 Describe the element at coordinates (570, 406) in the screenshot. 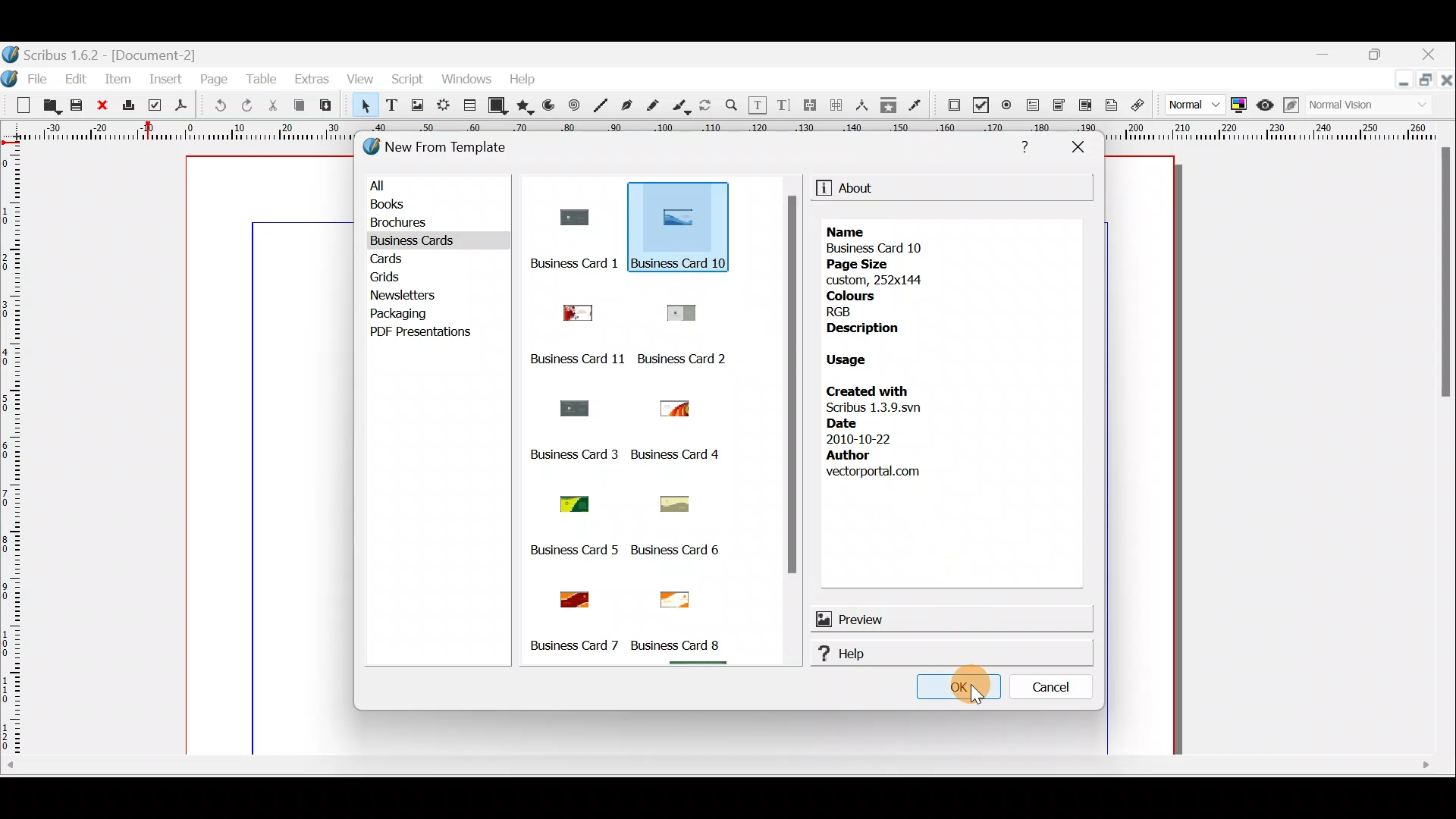

I see `Business card image` at that location.